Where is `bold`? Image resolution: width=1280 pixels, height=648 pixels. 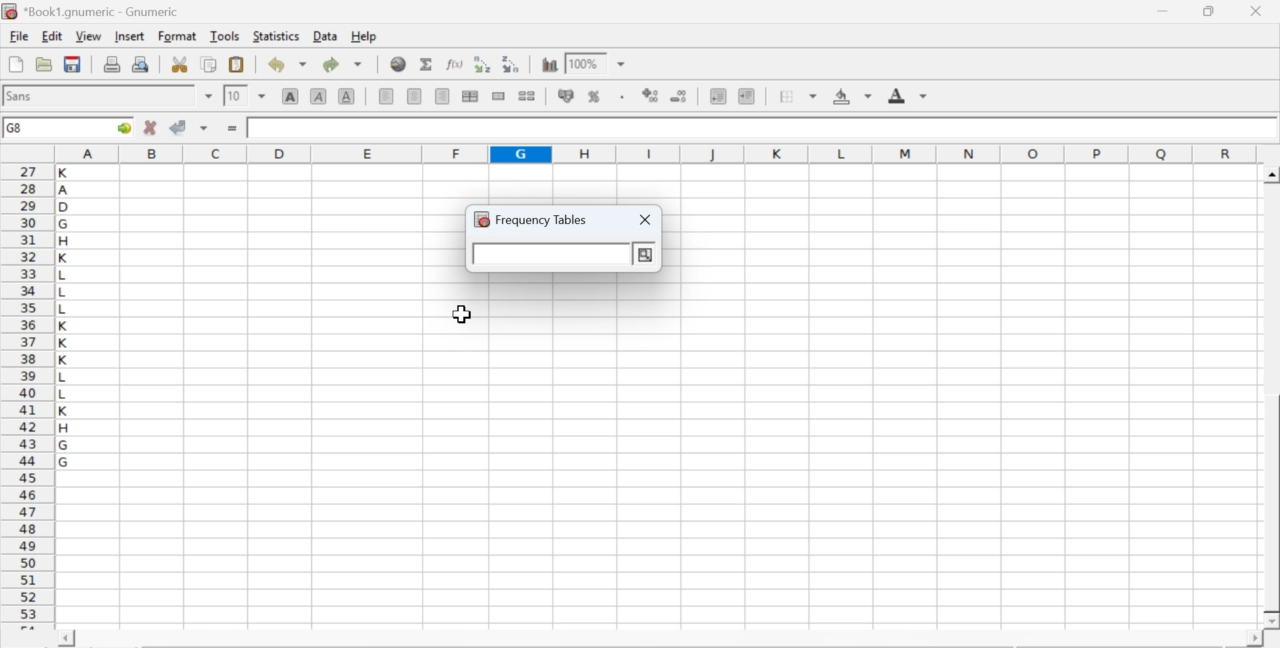
bold is located at coordinates (291, 95).